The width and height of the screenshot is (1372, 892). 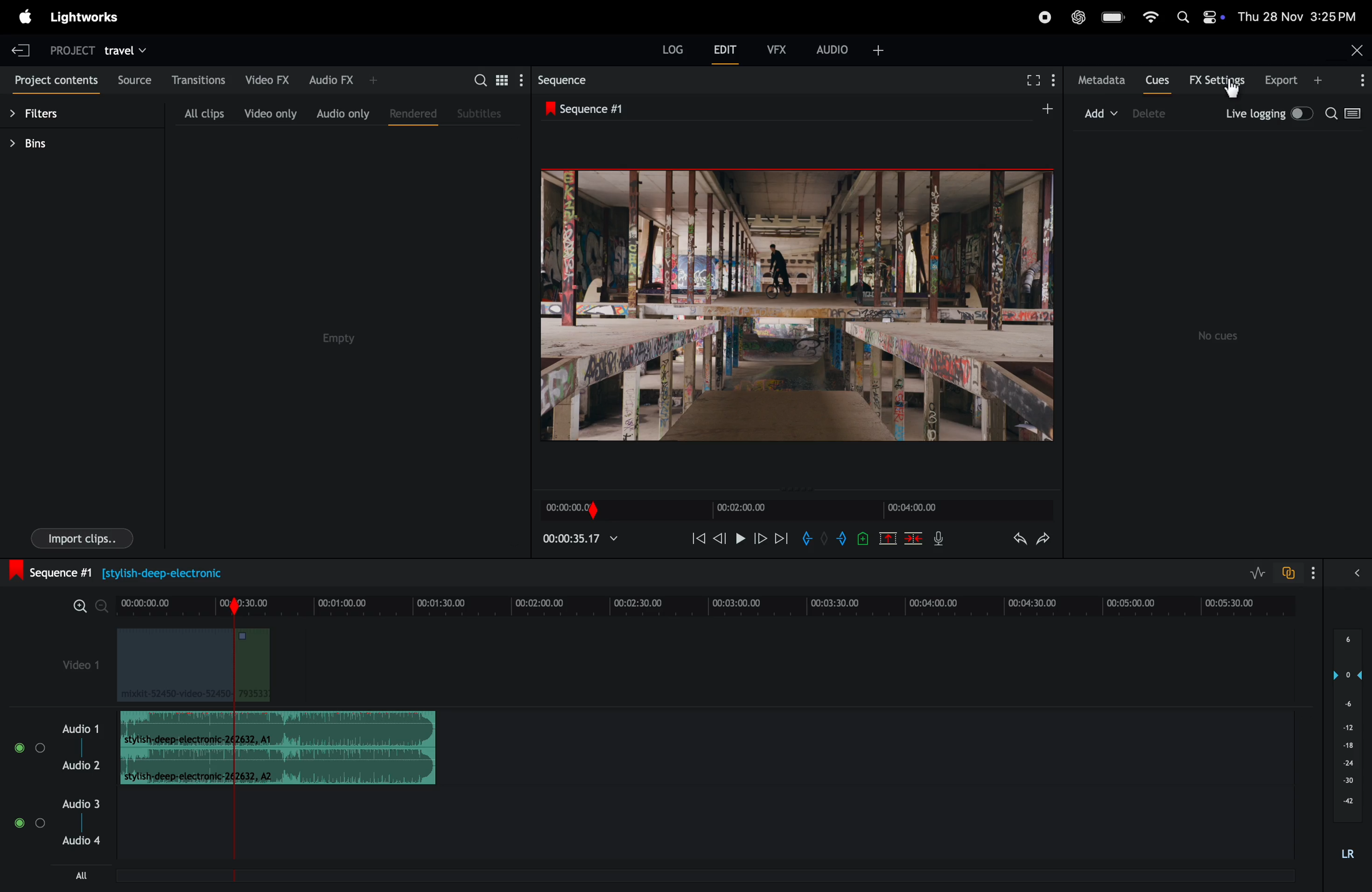 I want to click on Fx settings, so click(x=1217, y=81).